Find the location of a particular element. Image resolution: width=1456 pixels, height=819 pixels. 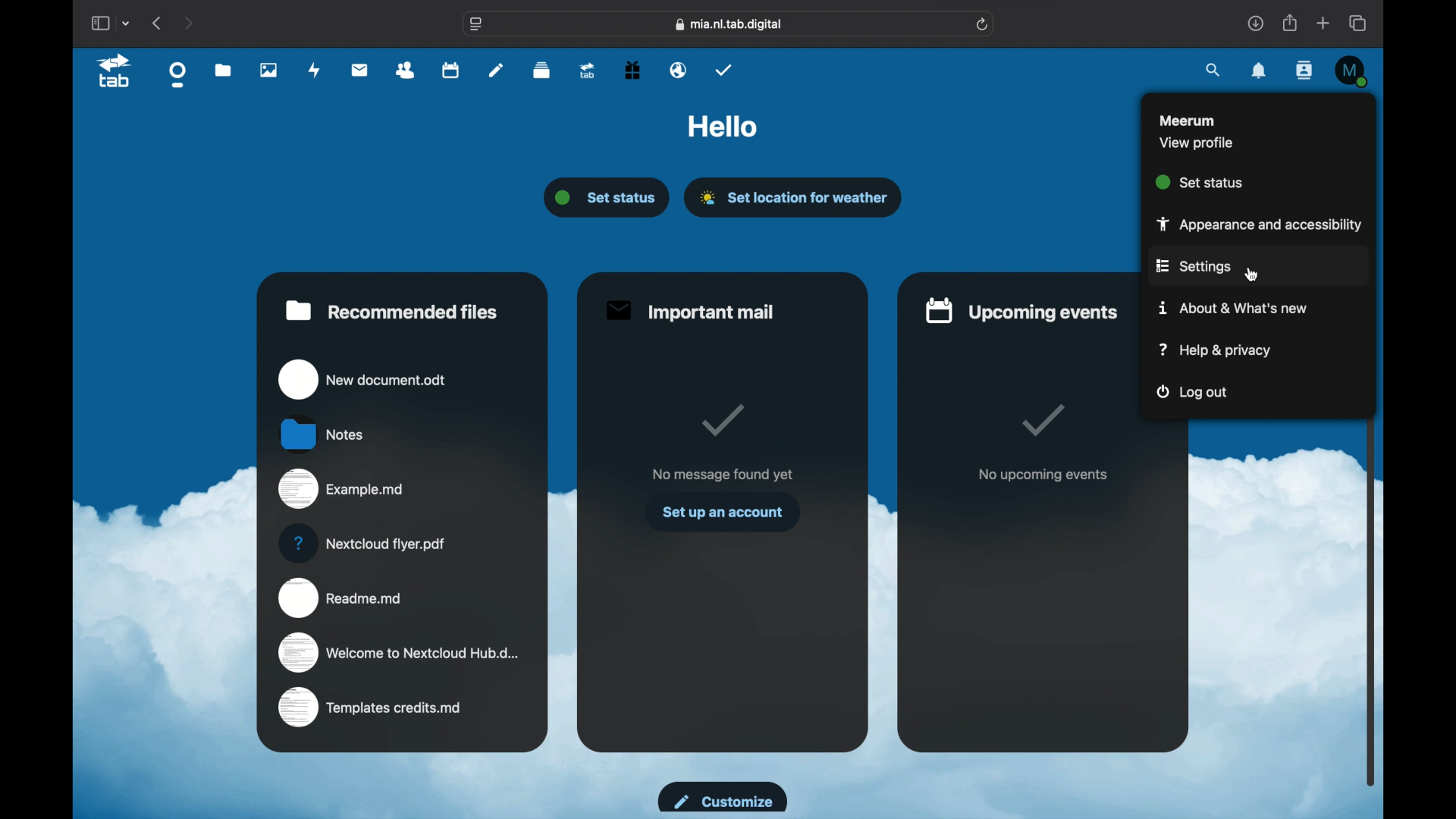

view profile is located at coordinates (1200, 143).